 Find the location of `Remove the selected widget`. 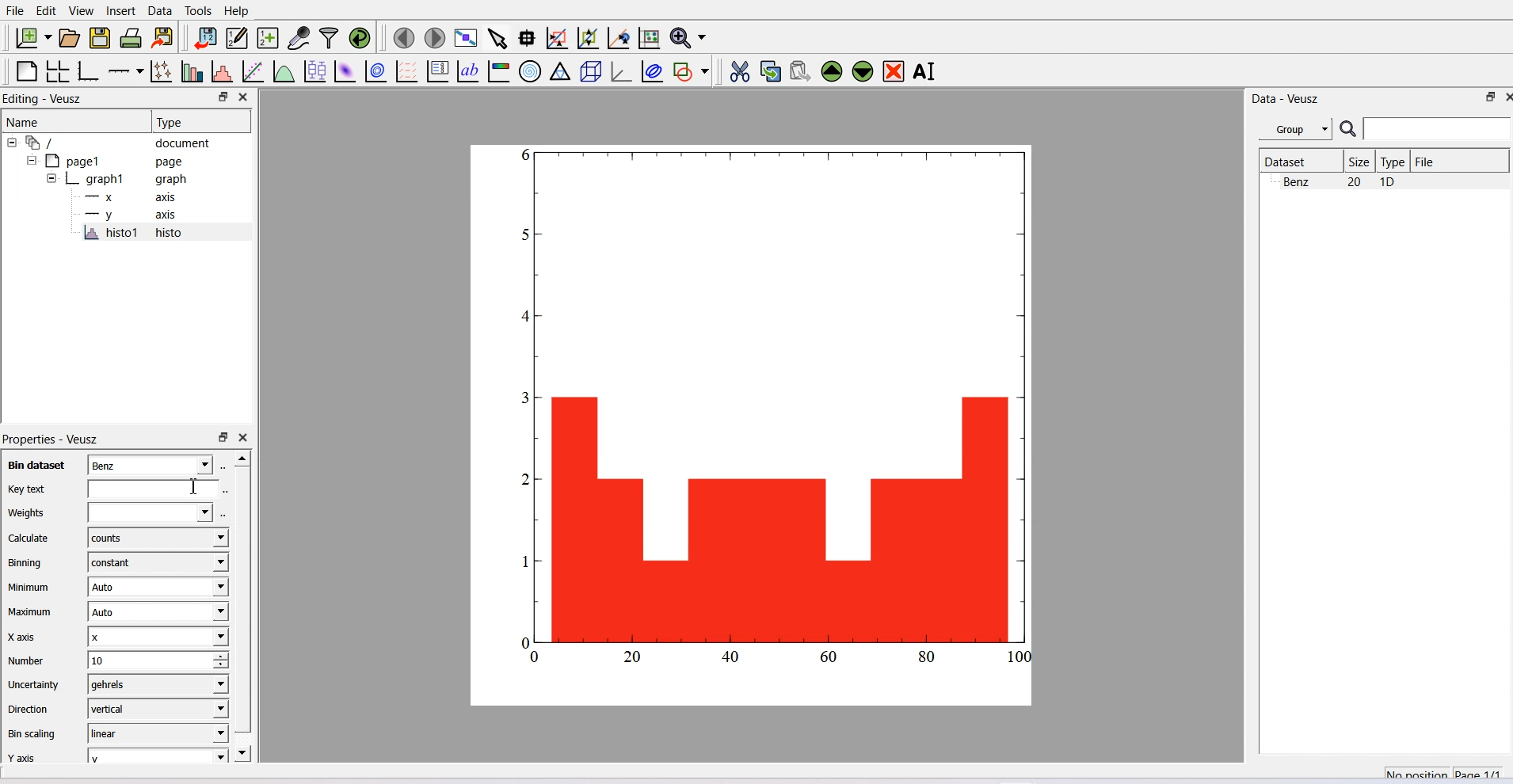

Remove the selected widget is located at coordinates (893, 71).